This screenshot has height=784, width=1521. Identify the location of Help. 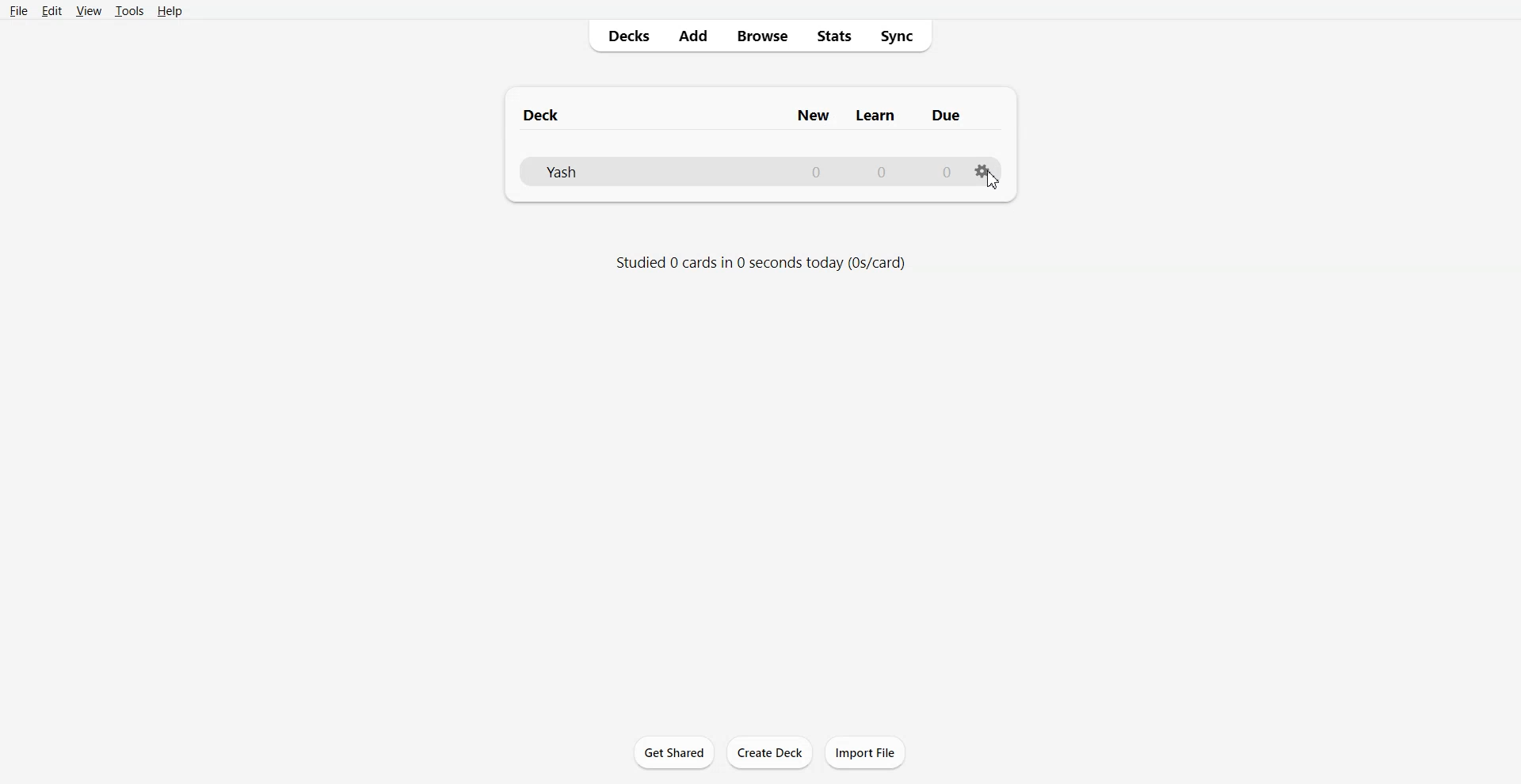
(168, 11).